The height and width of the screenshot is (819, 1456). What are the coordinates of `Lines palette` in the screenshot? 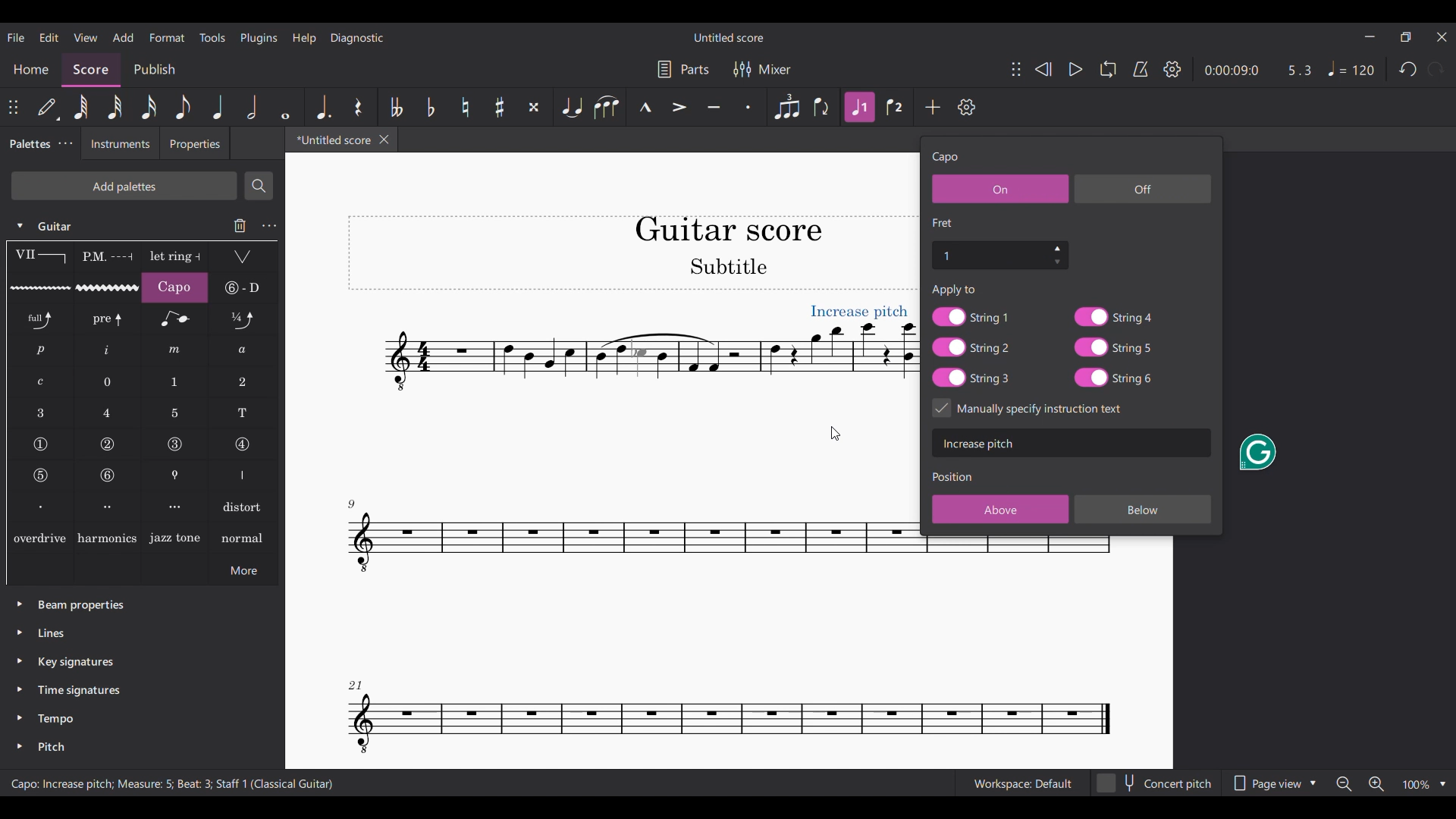 It's located at (52, 632).